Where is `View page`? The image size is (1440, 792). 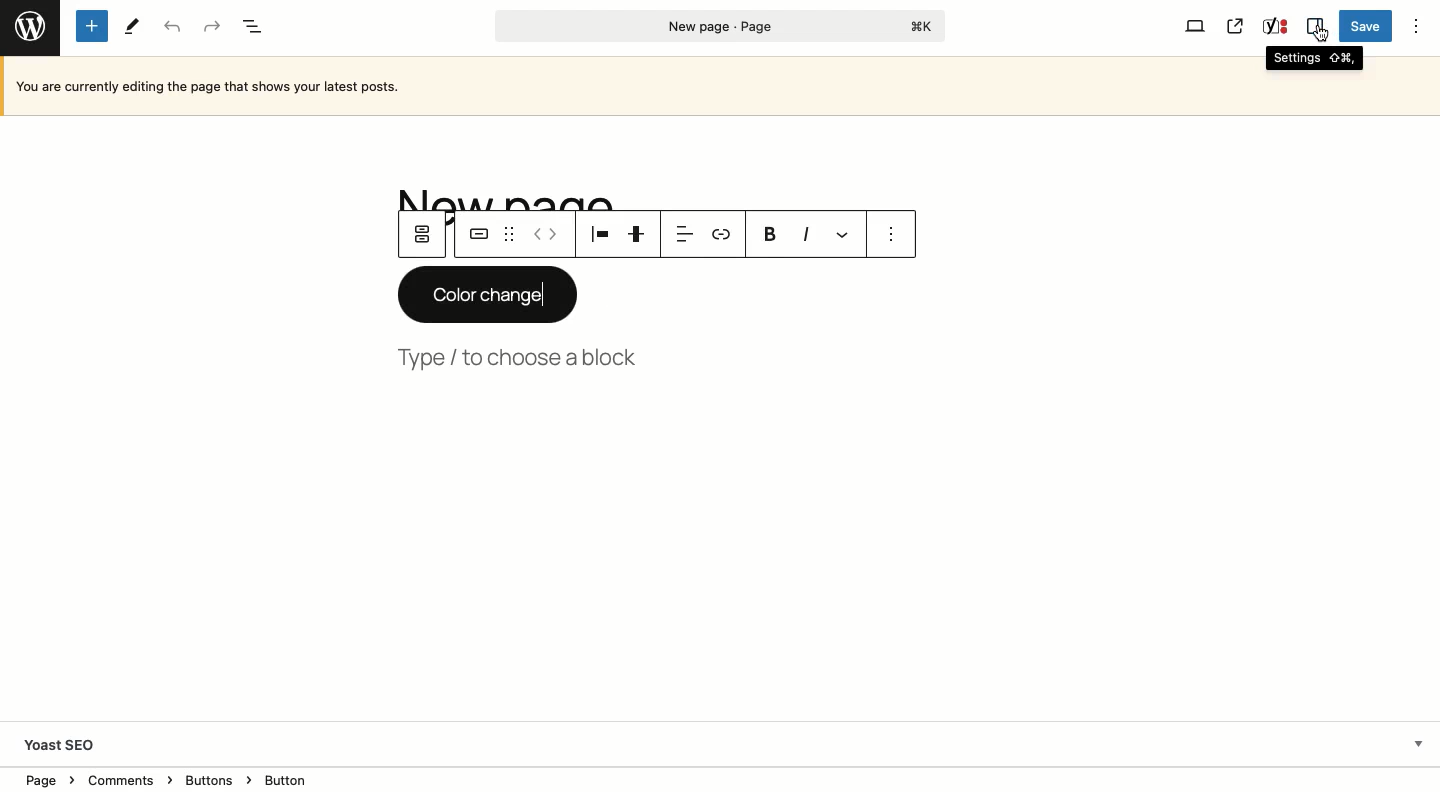
View page is located at coordinates (1235, 27).